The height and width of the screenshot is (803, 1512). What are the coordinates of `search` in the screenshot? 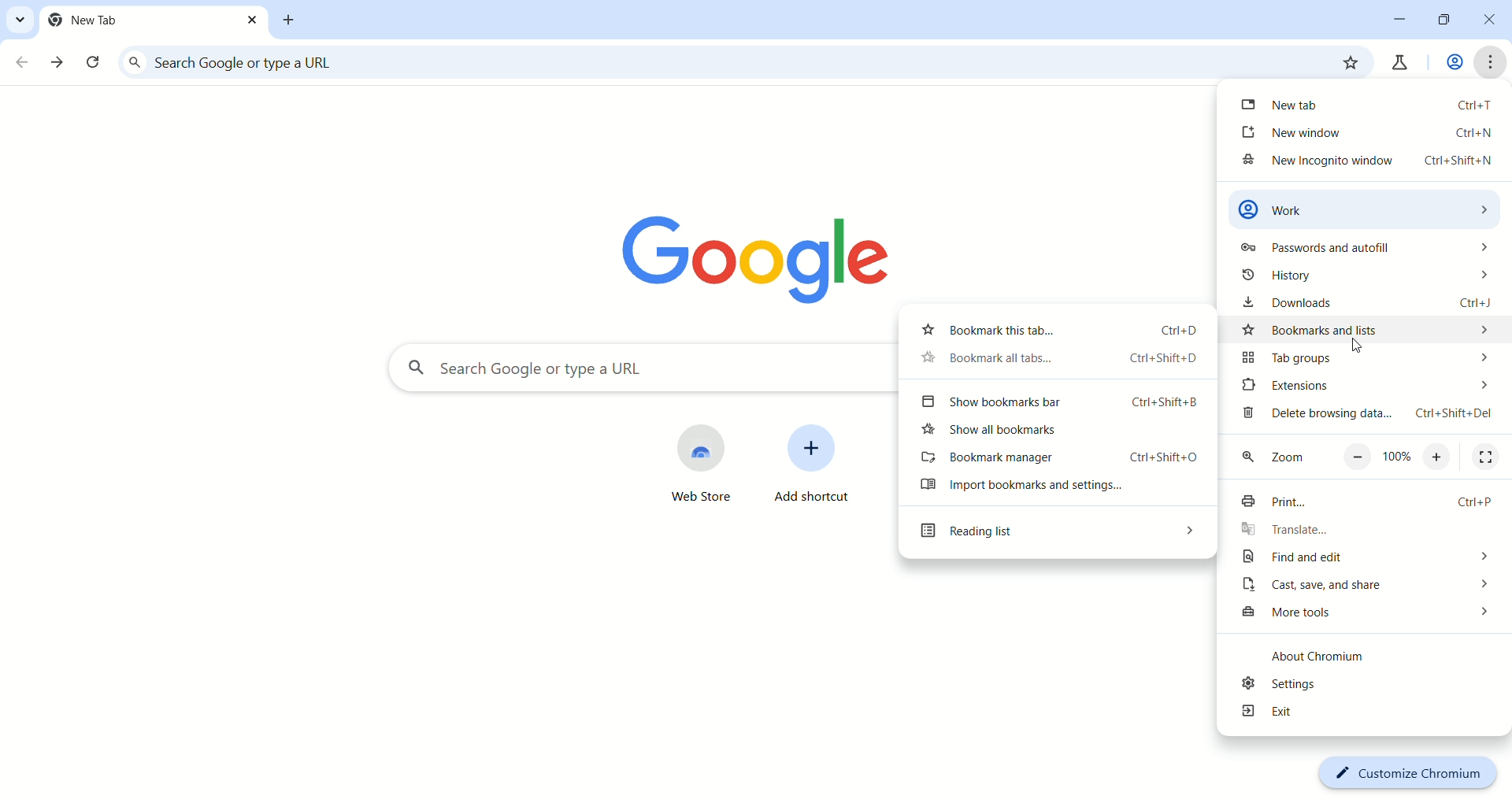 It's located at (637, 369).